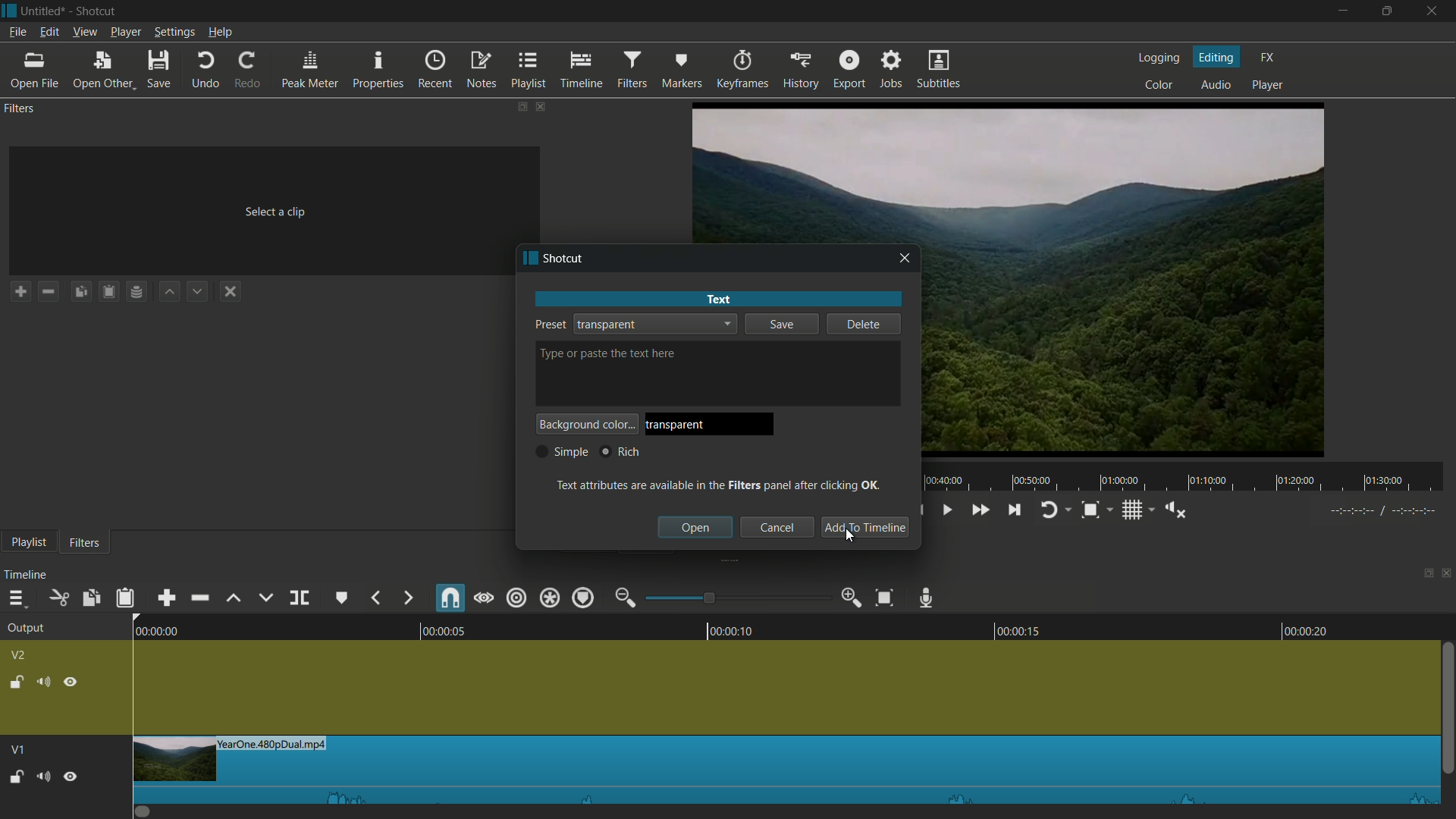 The width and height of the screenshot is (1456, 819). Describe the element at coordinates (342, 597) in the screenshot. I see `create or edit marker` at that location.